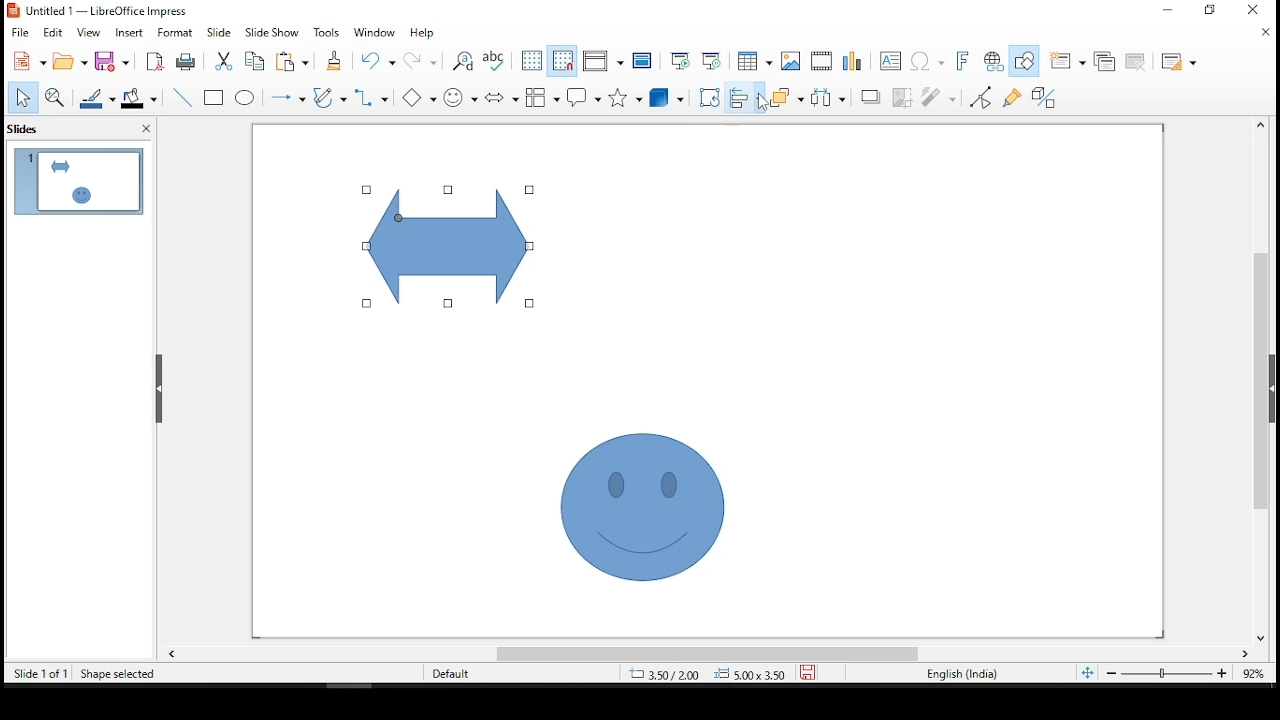 The width and height of the screenshot is (1280, 720). What do you see at coordinates (623, 96) in the screenshot?
I see `stars and banners` at bounding box center [623, 96].